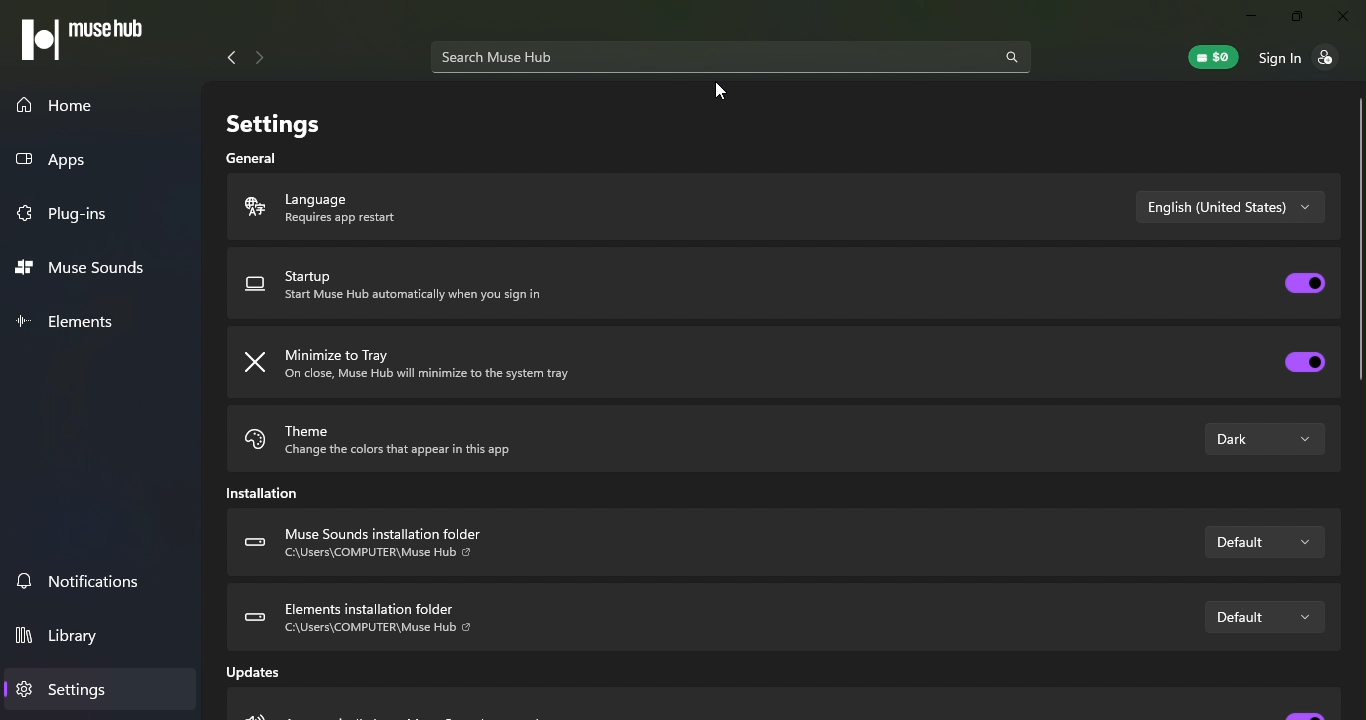  I want to click on Installation, so click(269, 497).